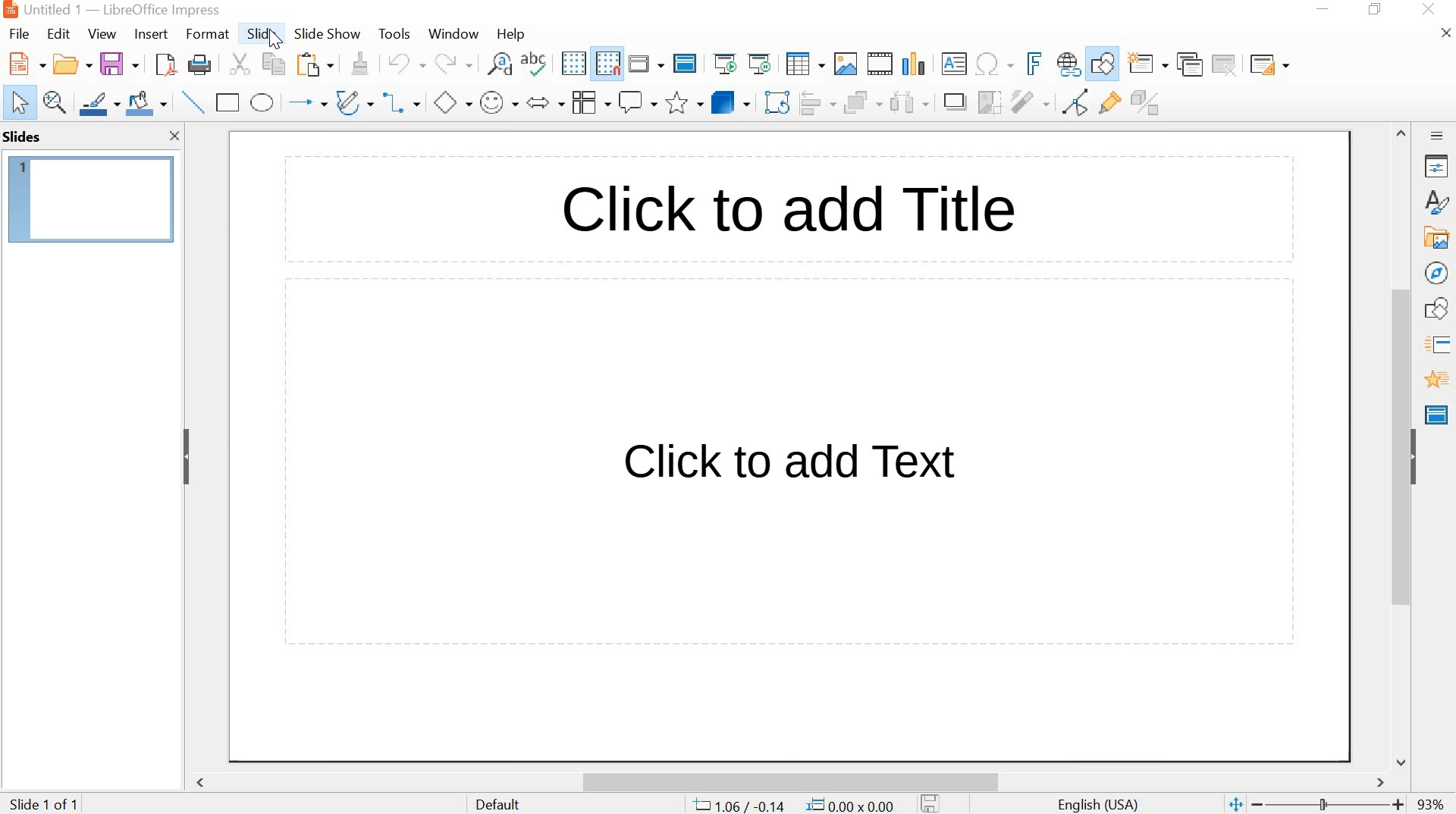  Describe the element at coordinates (500, 63) in the screenshot. I see `Find and Replace` at that location.